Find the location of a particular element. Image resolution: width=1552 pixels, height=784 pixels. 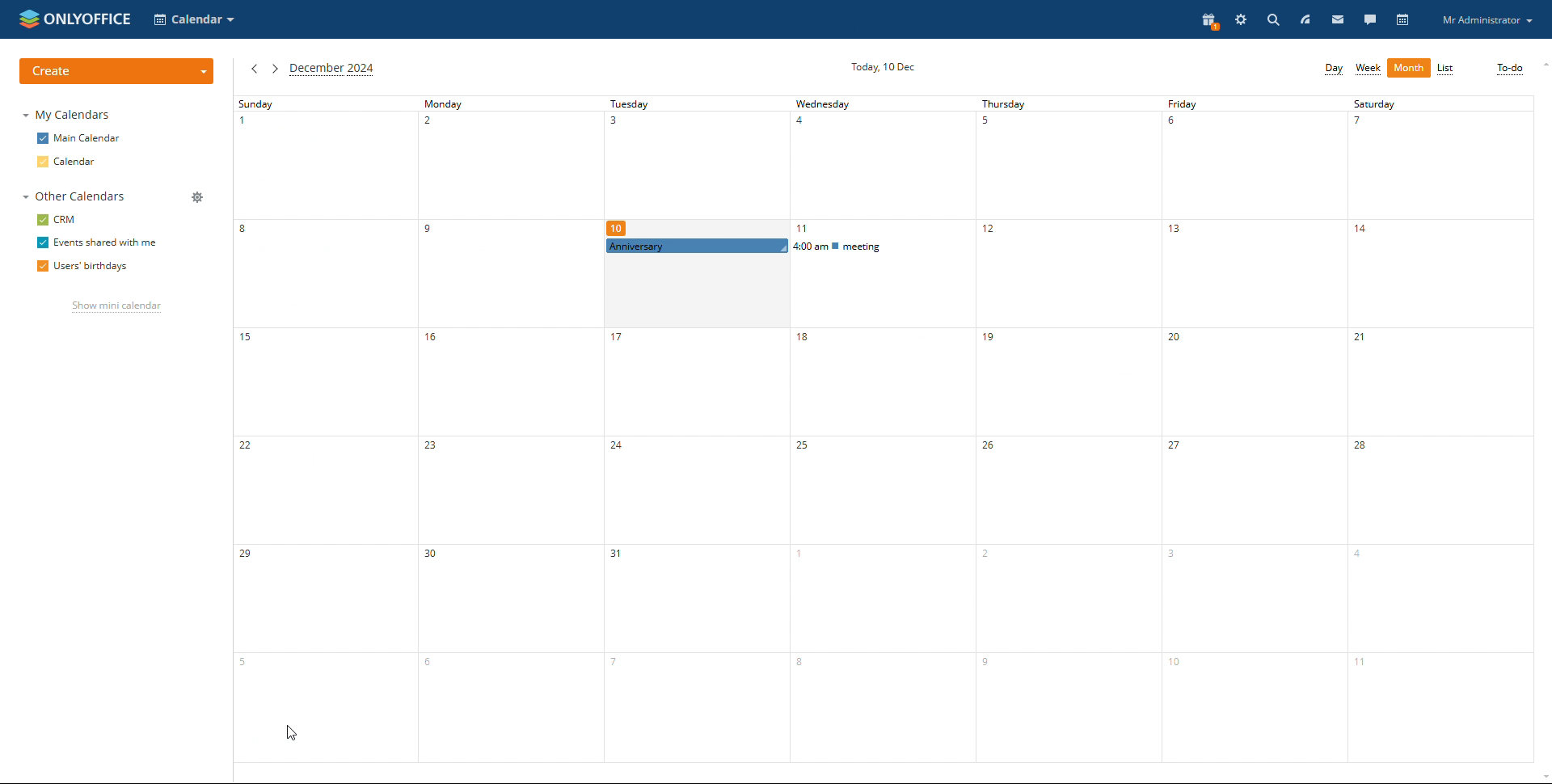

scroll up is located at coordinates (1542, 65).